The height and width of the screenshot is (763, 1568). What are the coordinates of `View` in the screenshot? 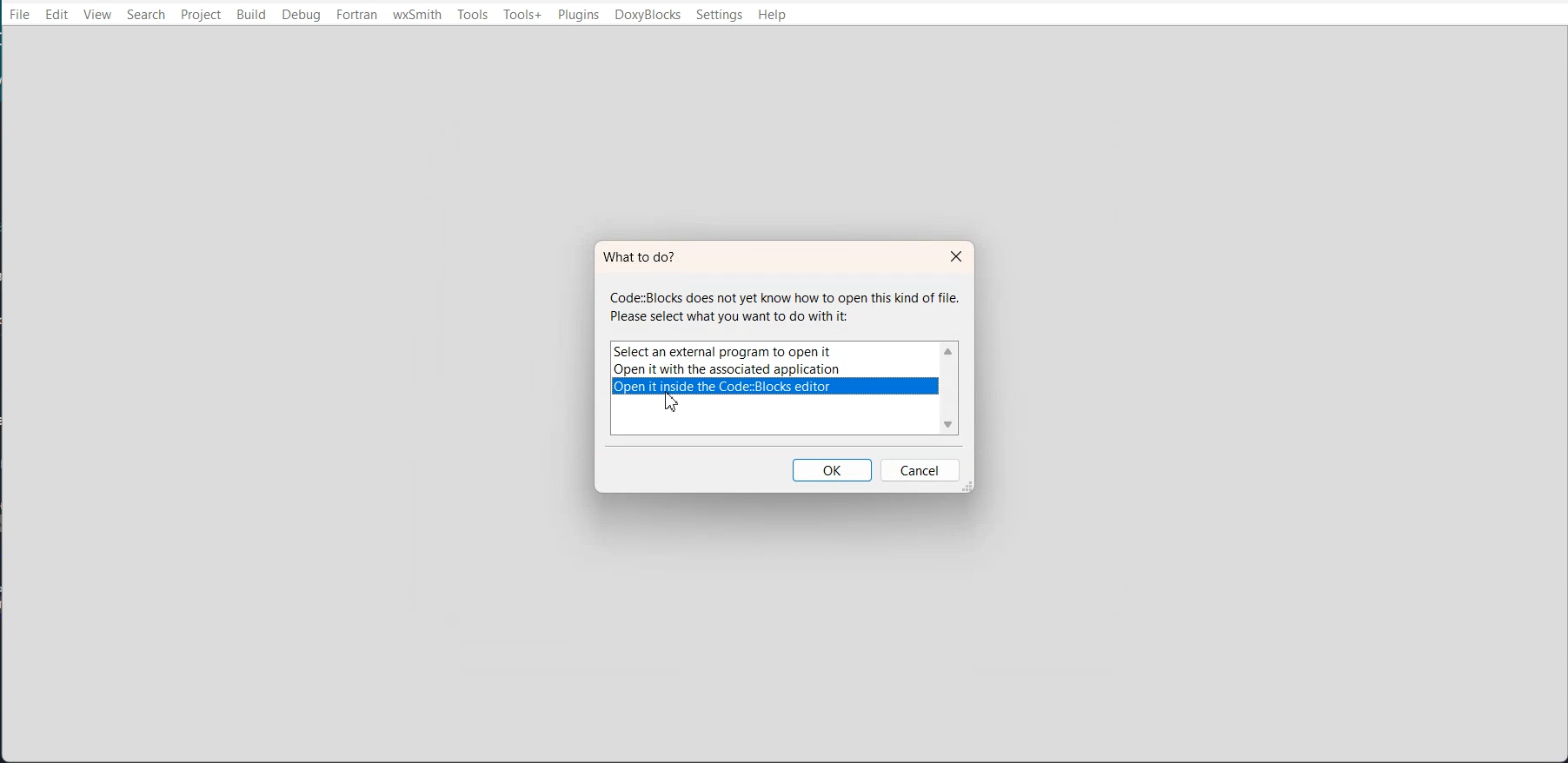 It's located at (100, 14).